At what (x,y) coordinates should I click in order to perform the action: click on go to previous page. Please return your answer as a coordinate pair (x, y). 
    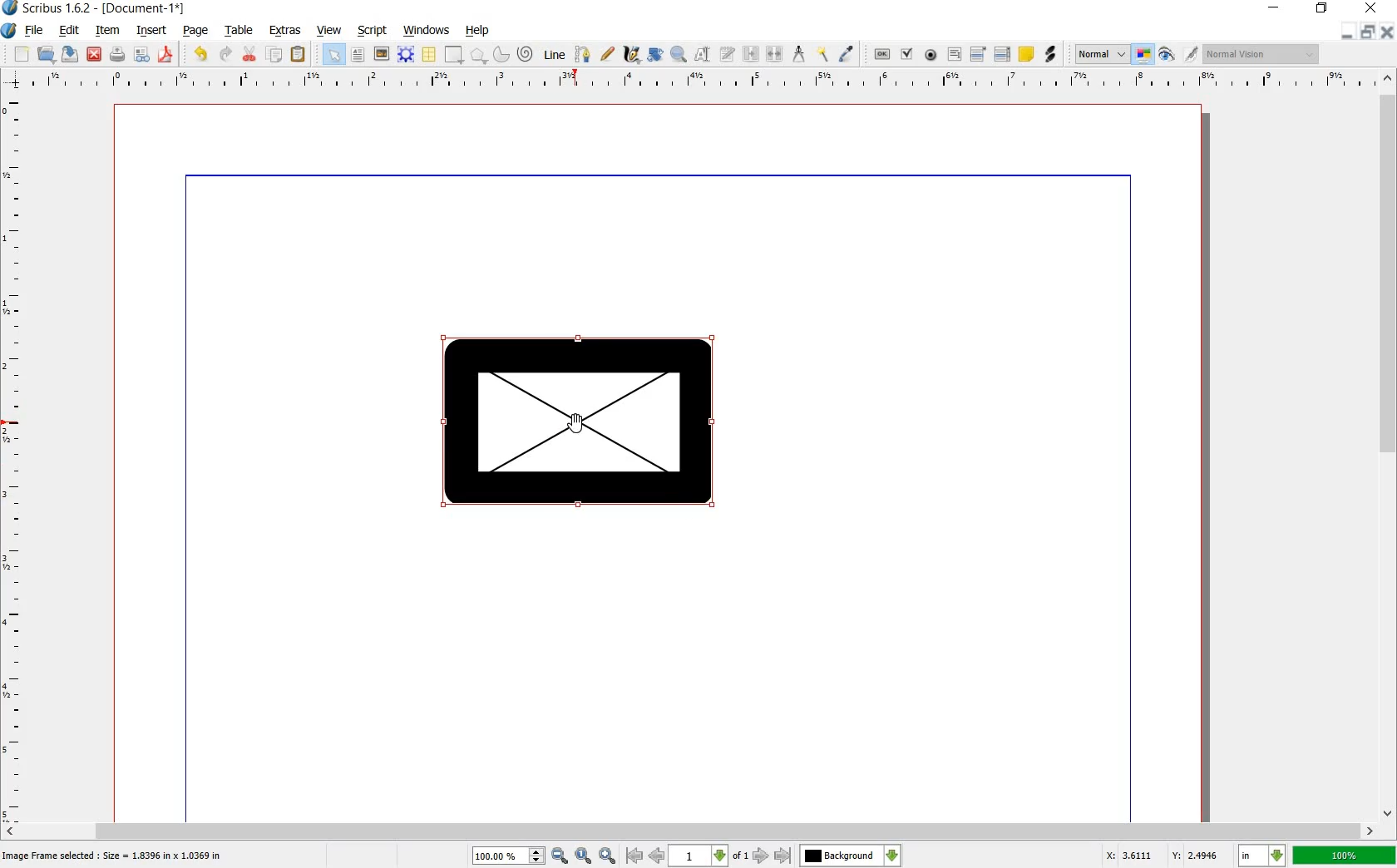
    Looking at the image, I should click on (656, 855).